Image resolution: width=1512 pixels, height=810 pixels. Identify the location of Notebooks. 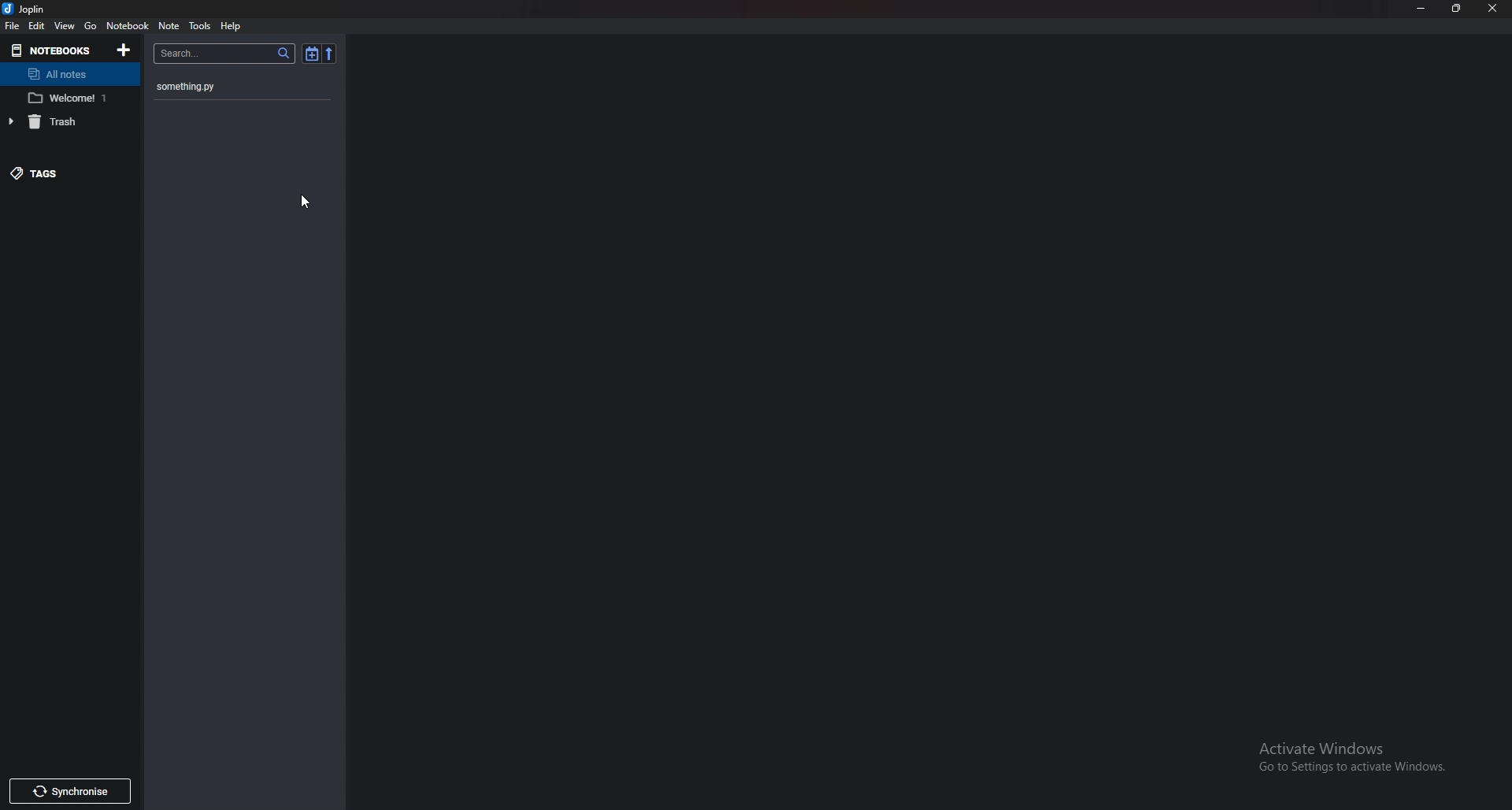
(54, 50).